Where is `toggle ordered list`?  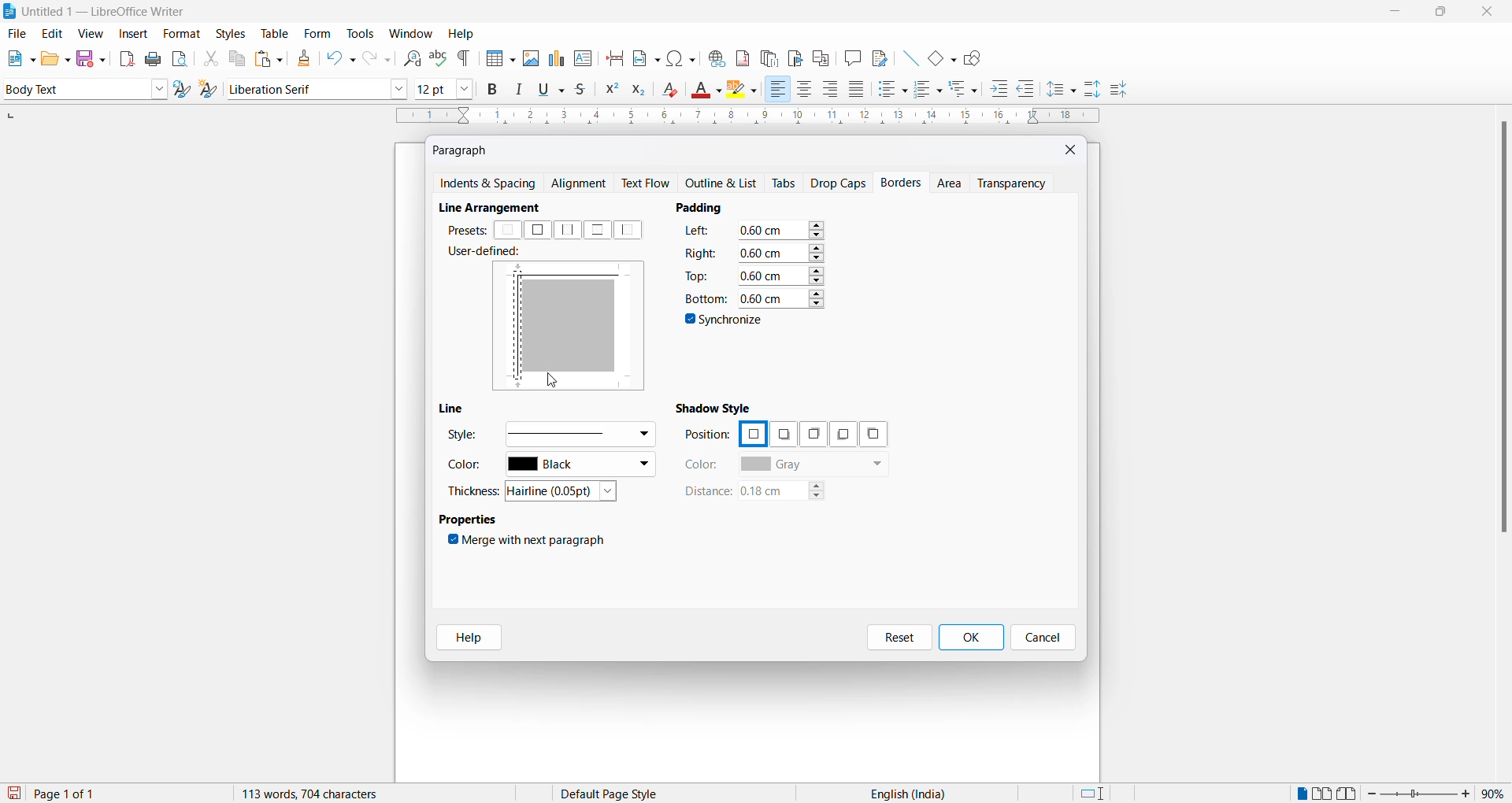
toggle ordered list is located at coordinates (929, 90).